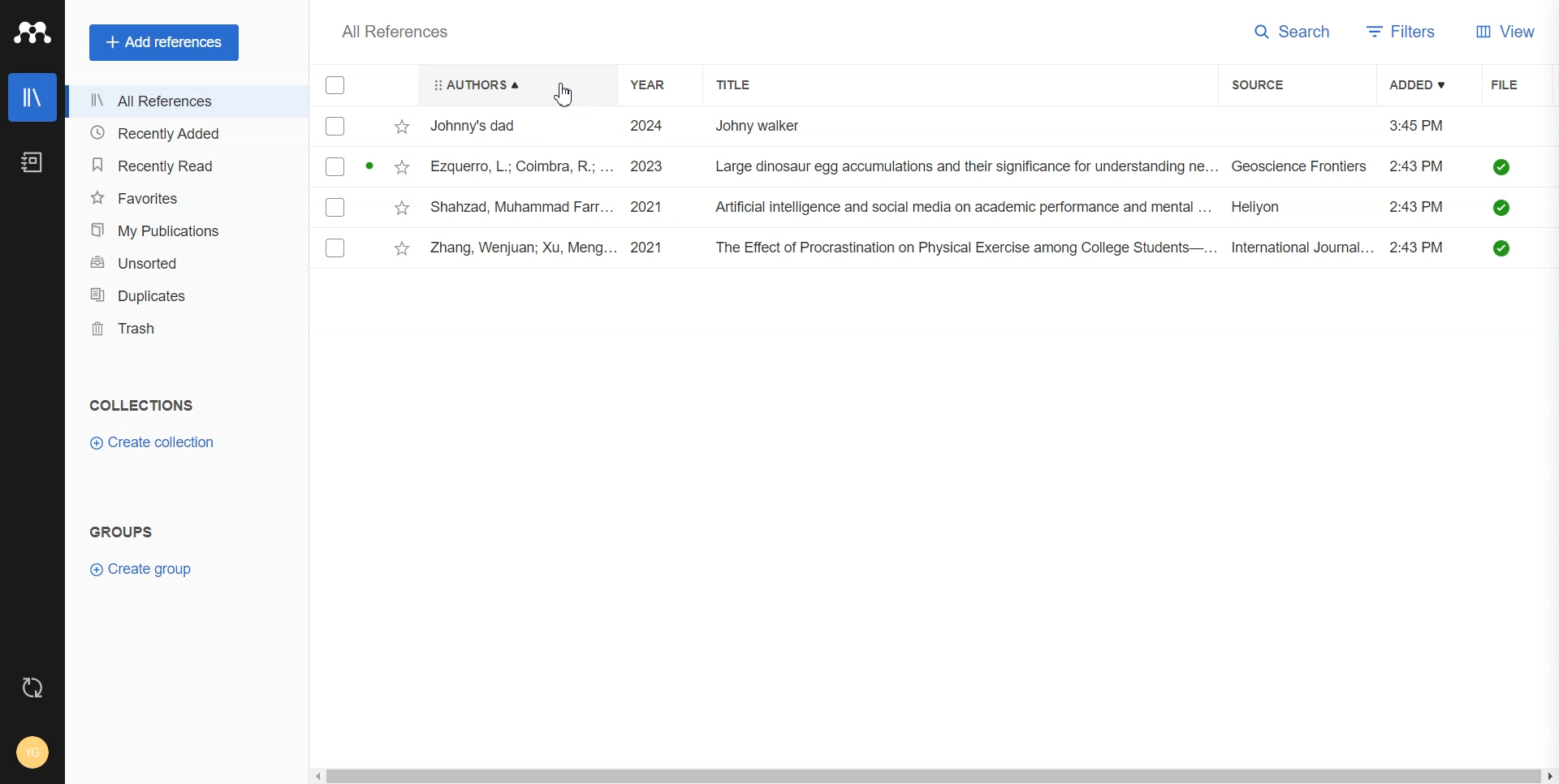 The image size is (1559, 784). What do you see at coordinates (644, 124) in the screenshot?
I see `2024` at bounding box center [644, 124].